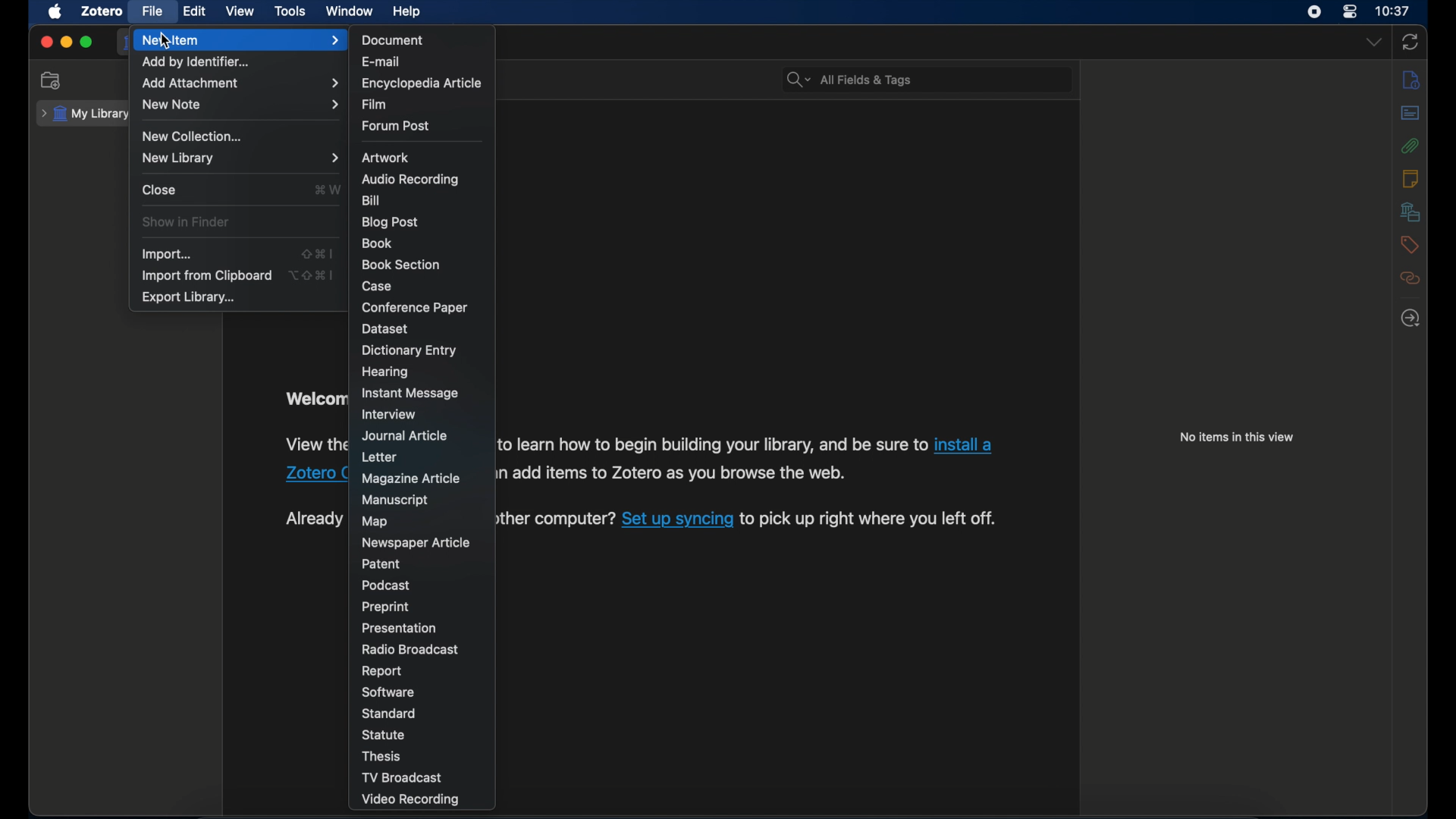 The height and width of the screenshot is (819, 1456). What do you see at coordinates (400, 627) in the screenshot?
I see `presentation` at bounding box center [400, 627].